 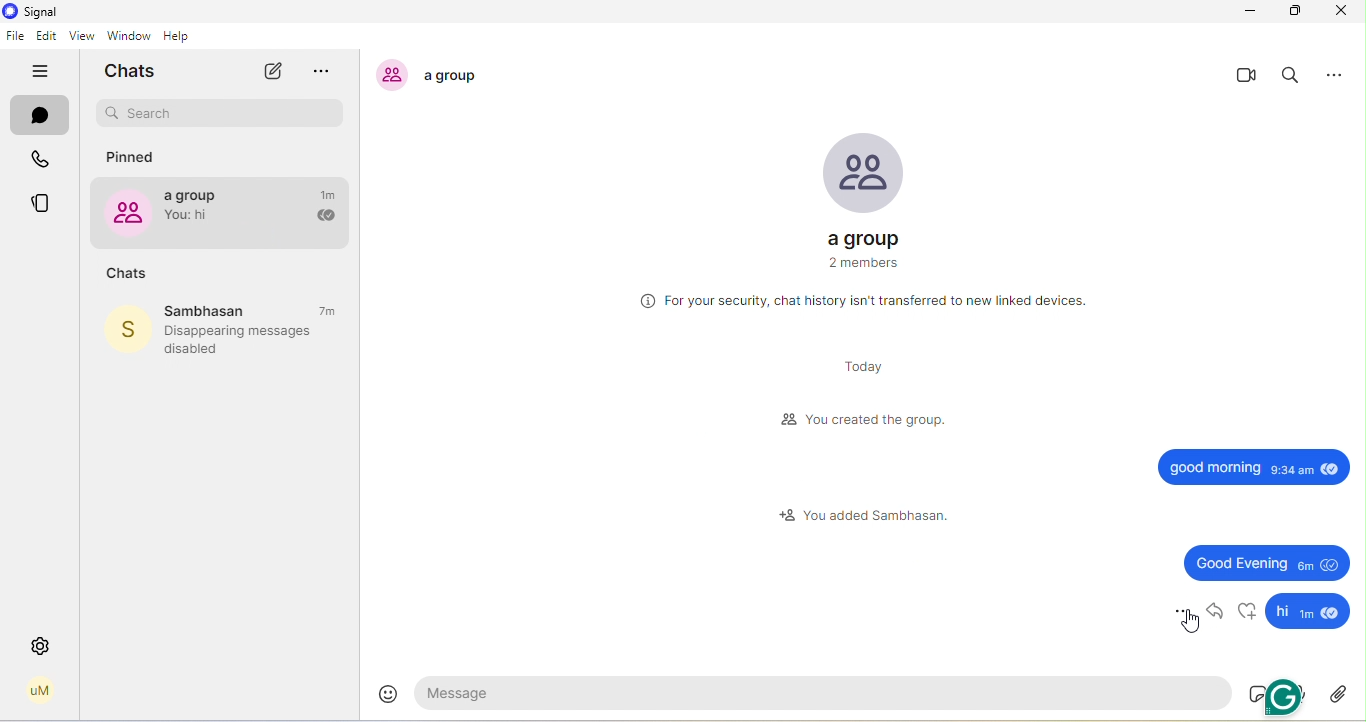 What do you see at coordinates (47, 37) in the screenshot?
I see `edit` at bounding box center [47, 37].